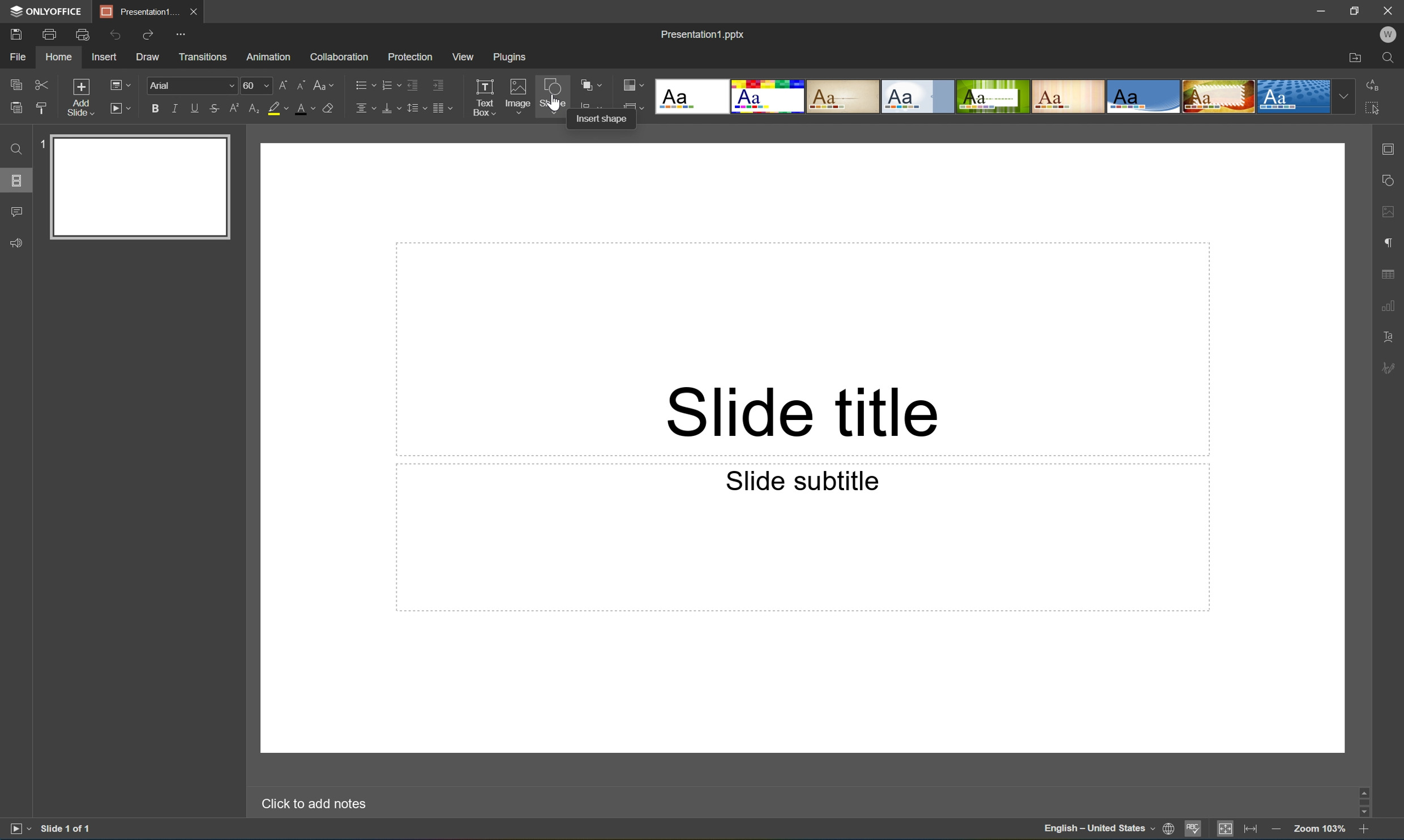 The width and height of the screenshot is (1404, 840). Describe the element at coordinates (142, 186) in the screenshot. I see `Slide` at that location.